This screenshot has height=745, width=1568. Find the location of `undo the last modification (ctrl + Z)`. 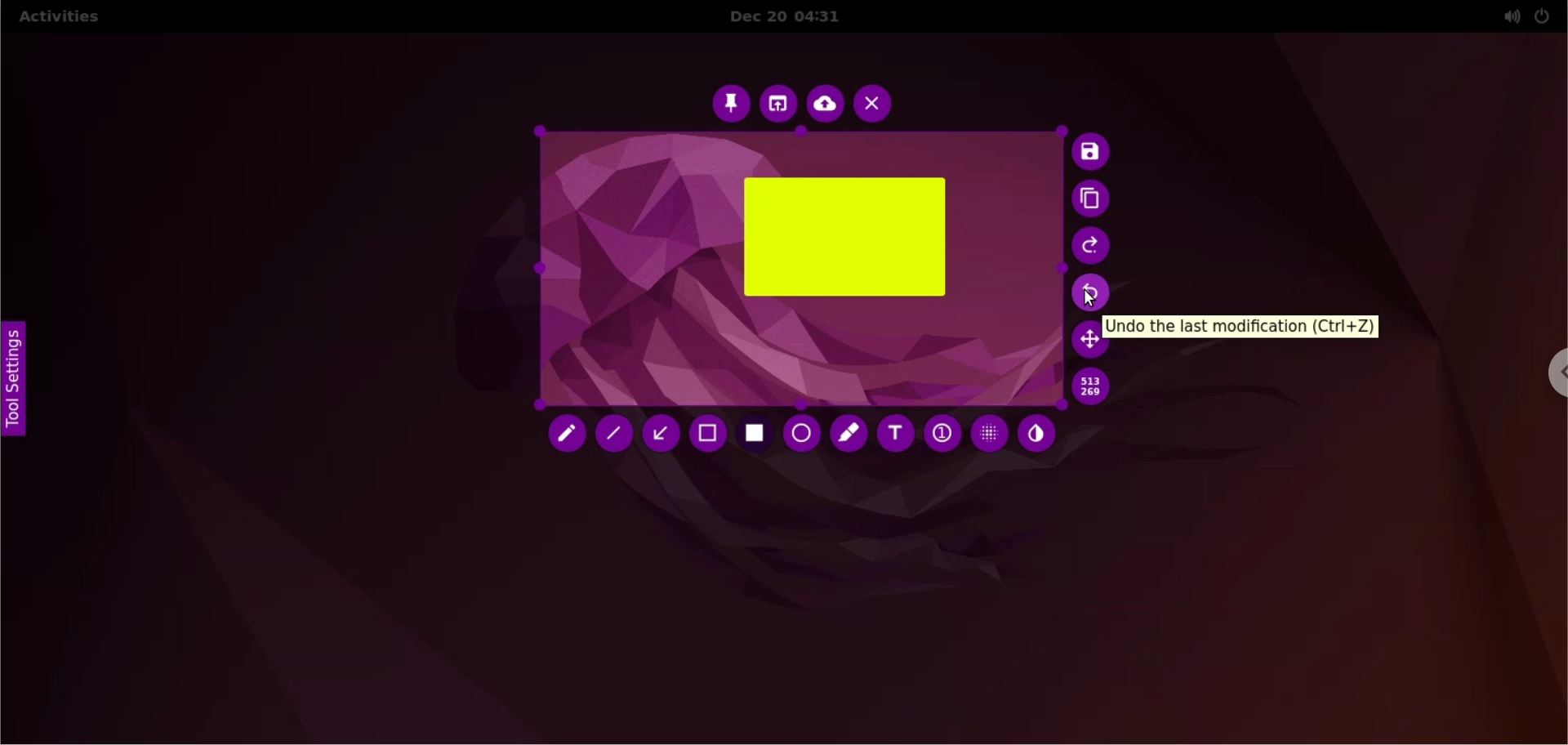

undo the last modification (ctrl + Z) is located at coordinates (1244, 329).